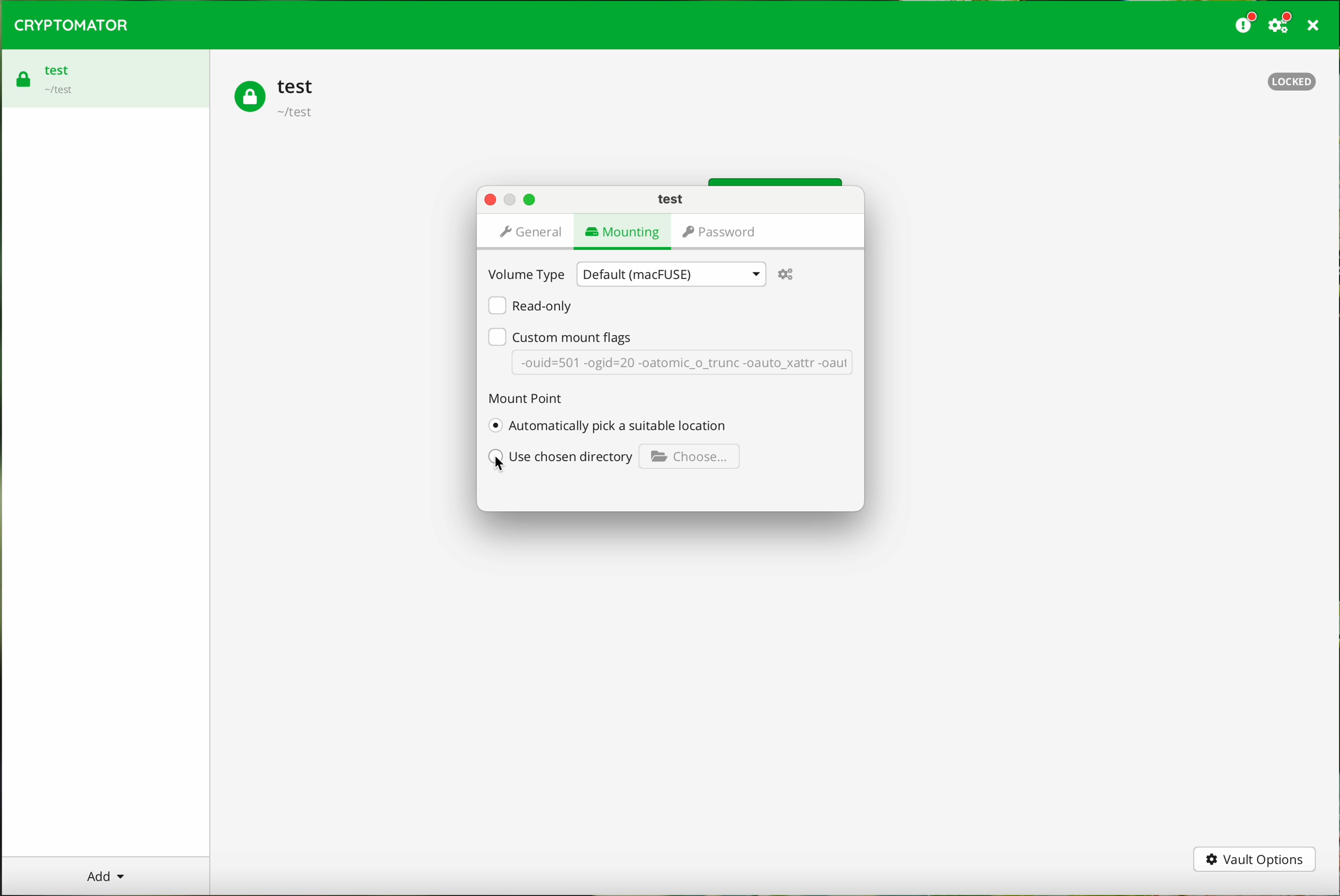  What do you see at coordinates (1254, 860) in the screenshot?
I see `vault options` at bounding box center [1254, 860].